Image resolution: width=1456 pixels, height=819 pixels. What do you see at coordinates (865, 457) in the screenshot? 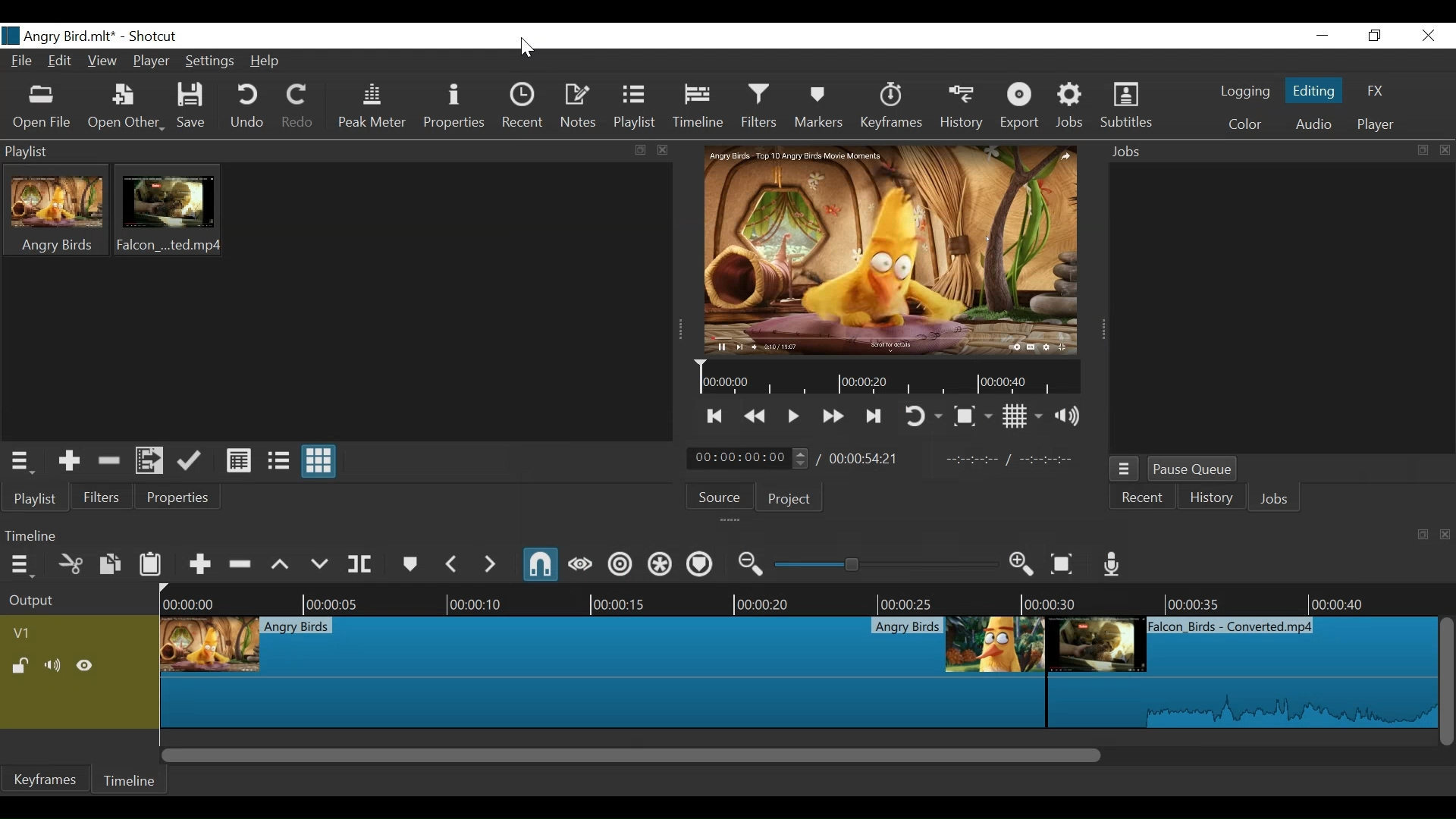
I see `Total Duration` at bounding box center [865, 457].